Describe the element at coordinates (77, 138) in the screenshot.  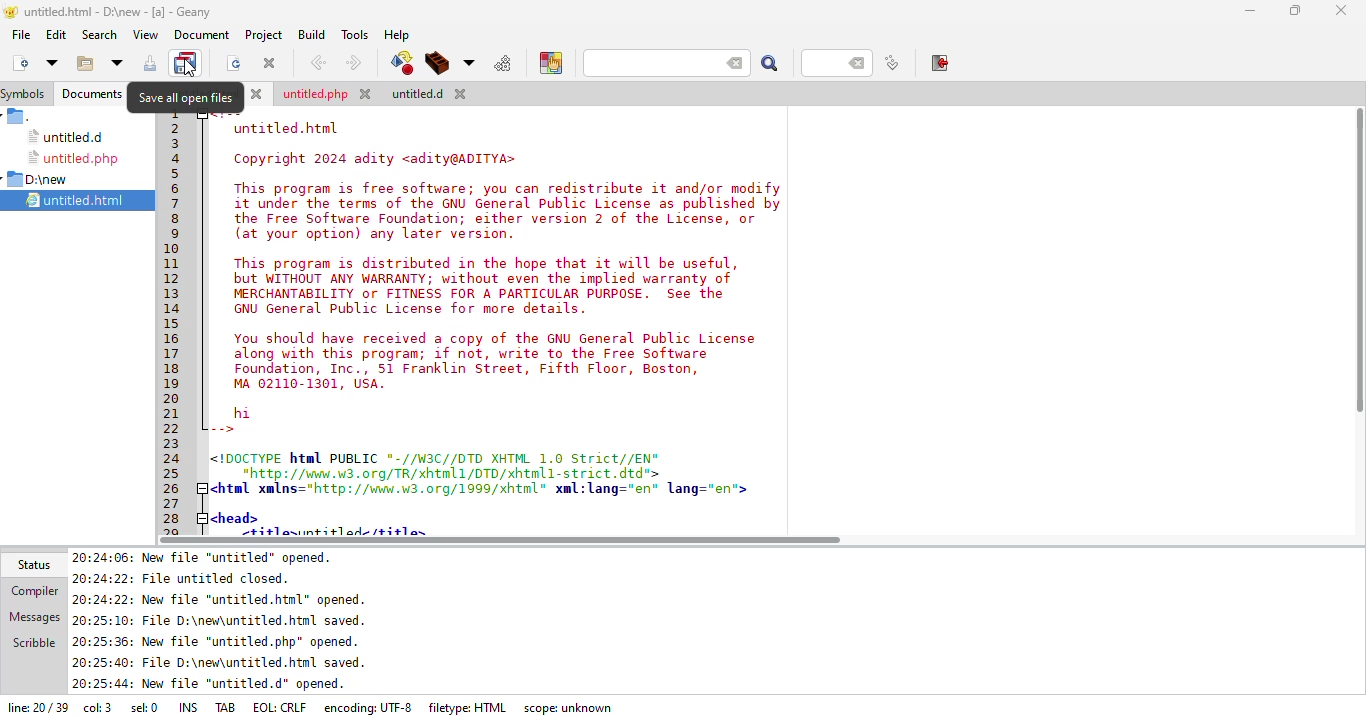
I see `untitled` at that location.